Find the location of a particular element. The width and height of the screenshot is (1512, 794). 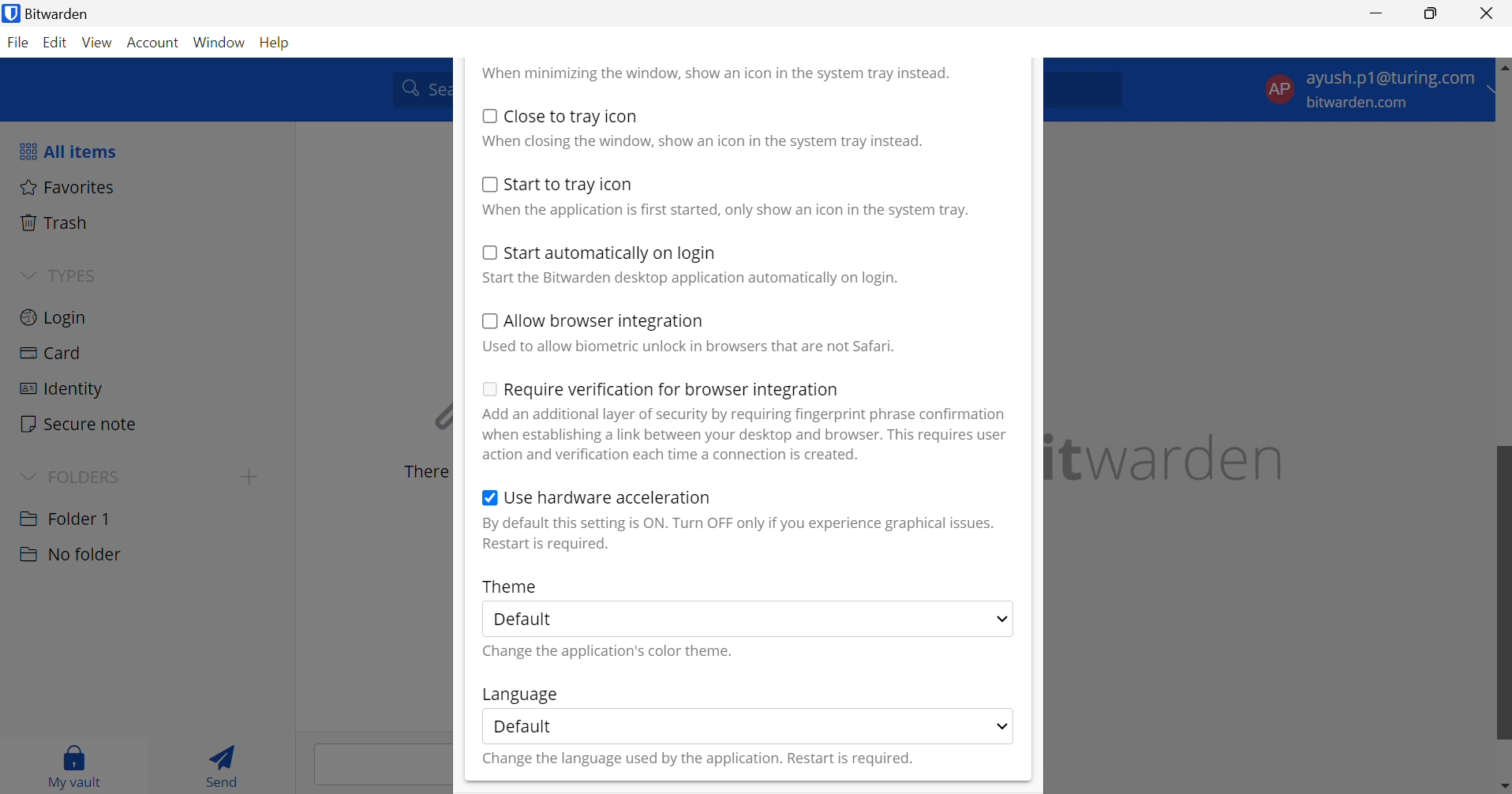

Close is located at coordinates (1489, 13).